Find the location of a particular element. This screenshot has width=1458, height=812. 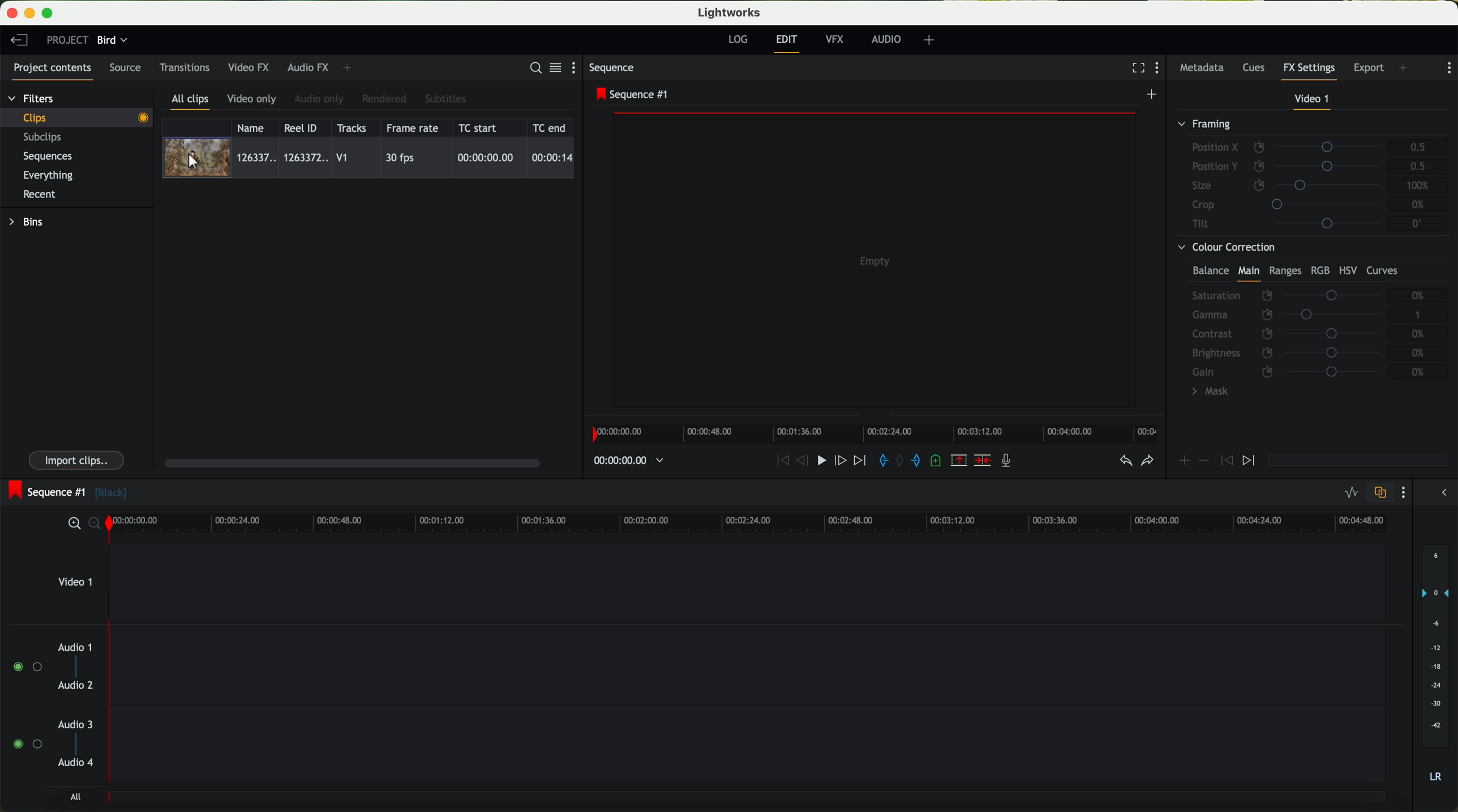

timeline is located at coordinates (871, 431).